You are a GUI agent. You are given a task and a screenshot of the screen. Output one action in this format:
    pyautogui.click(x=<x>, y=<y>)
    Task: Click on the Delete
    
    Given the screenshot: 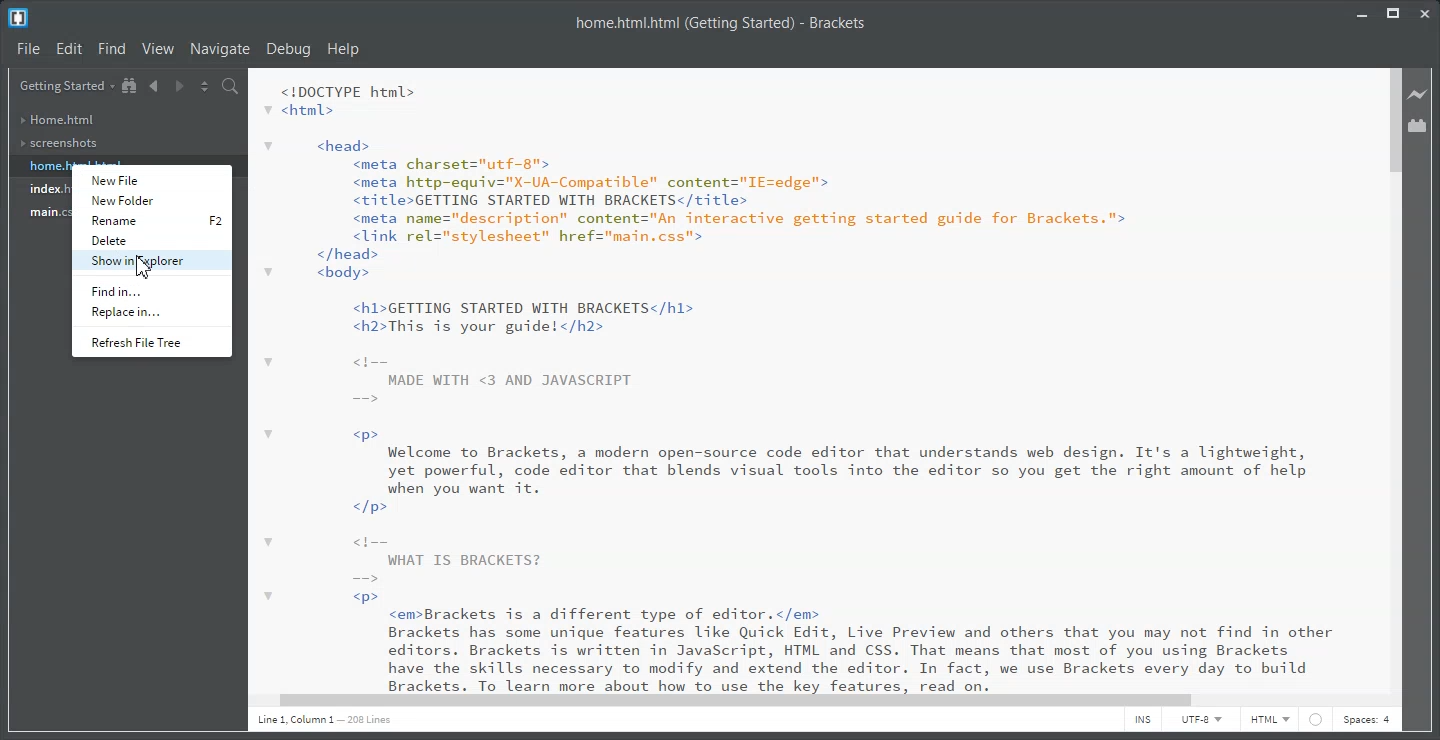 What is the action you would take?
    pyautogui.click(x=150, y=240)
    